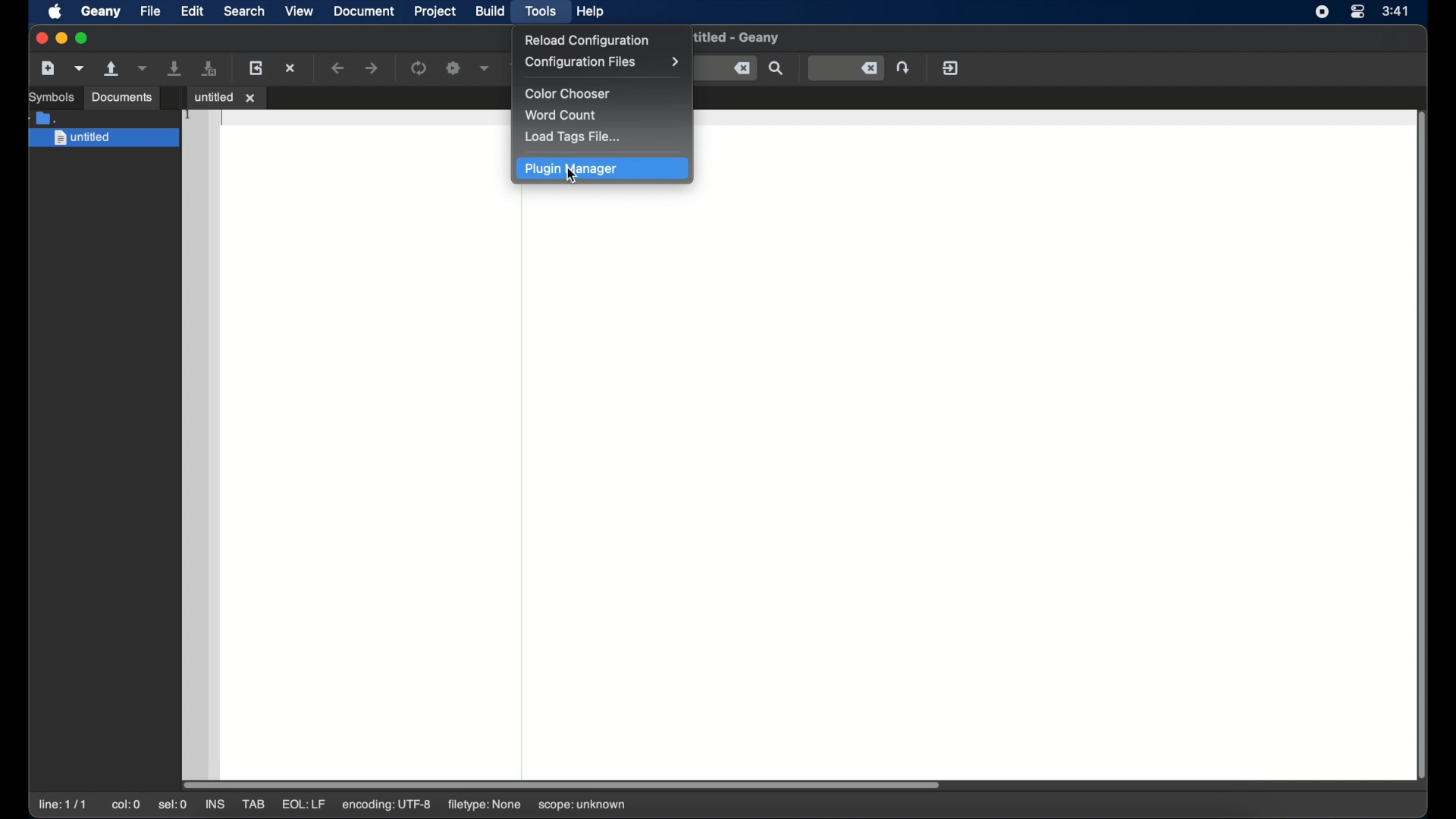 This screenshot has width=1456, height=819. Describe the element at coordinates (173, 805) in the screenshot. I see `sel: 0` at that location.